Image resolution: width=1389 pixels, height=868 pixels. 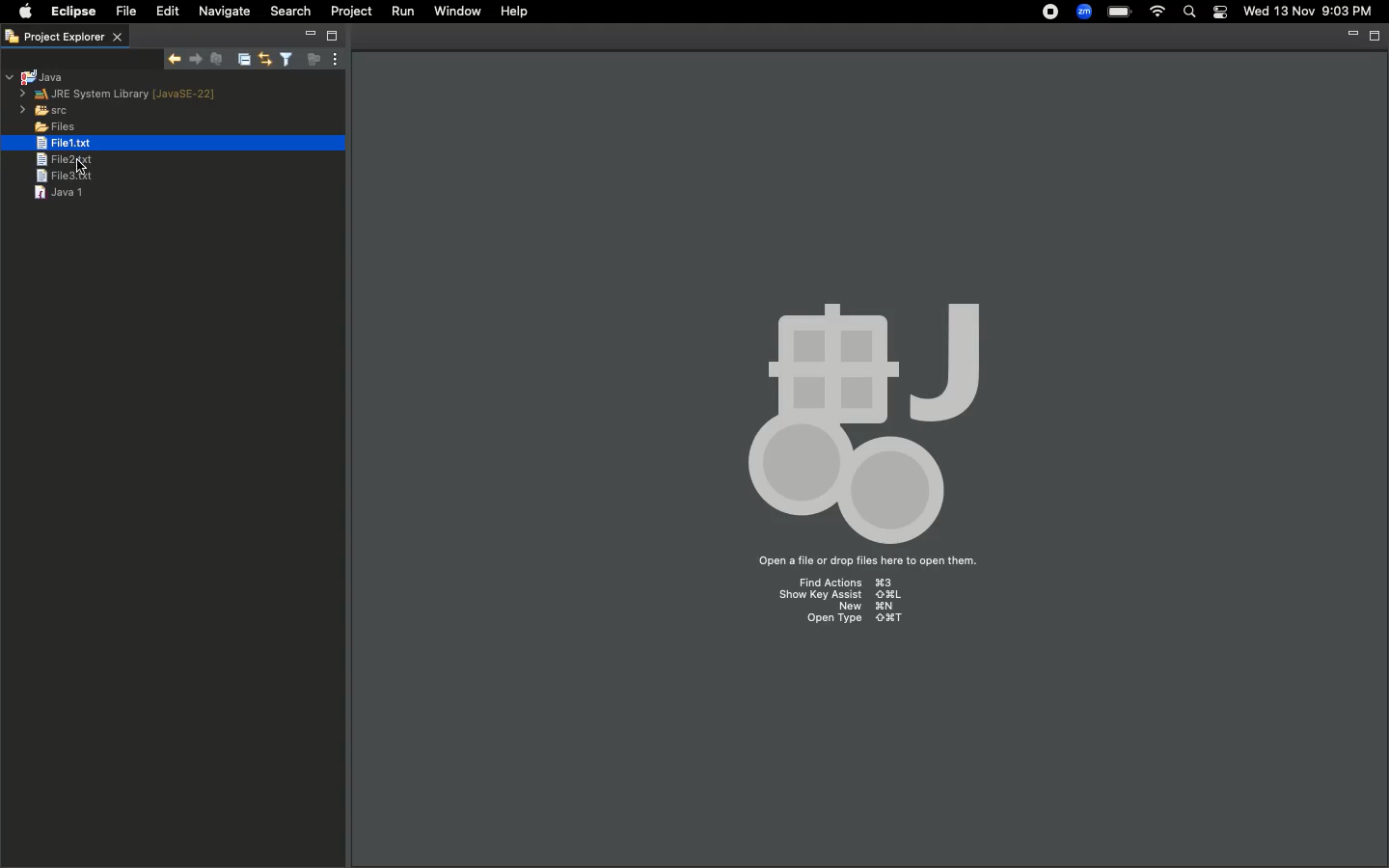 I want to click on Java, so click(x=38, y=77).